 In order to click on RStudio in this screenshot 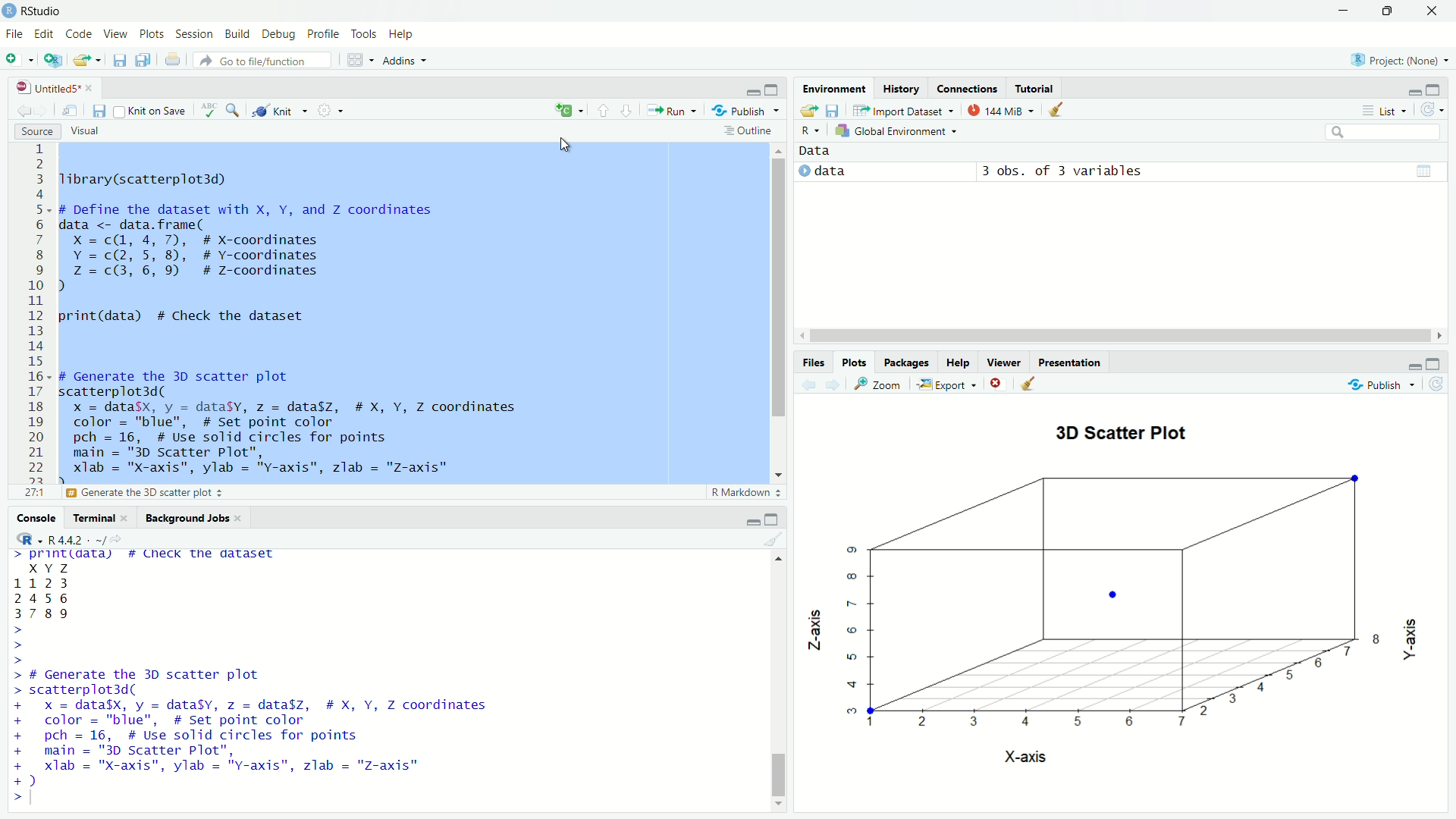, I will do `click(47, 11)`.